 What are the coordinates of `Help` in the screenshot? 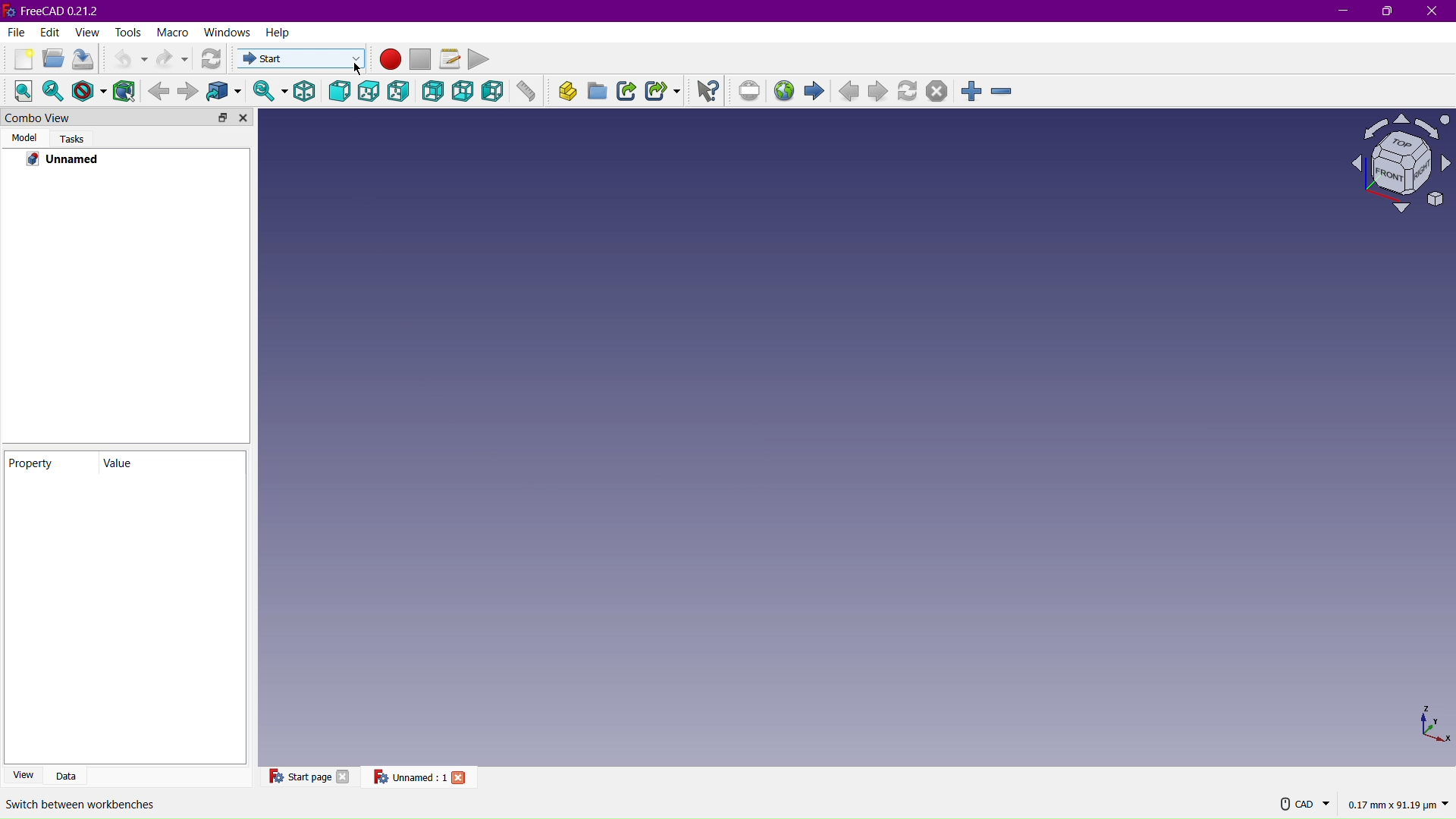 It's located at (278, 35).